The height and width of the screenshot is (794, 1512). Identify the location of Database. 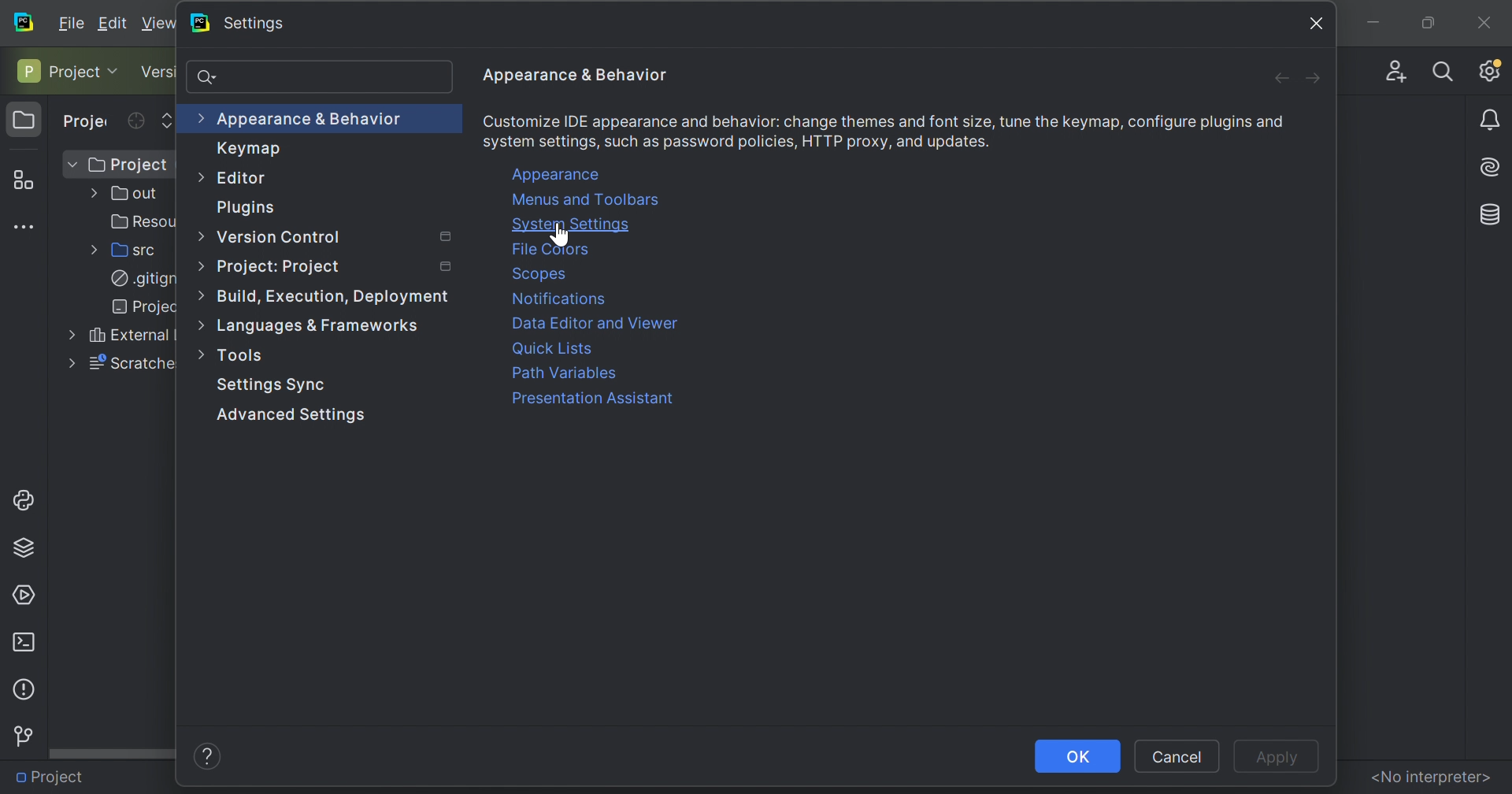
(1492, 212).